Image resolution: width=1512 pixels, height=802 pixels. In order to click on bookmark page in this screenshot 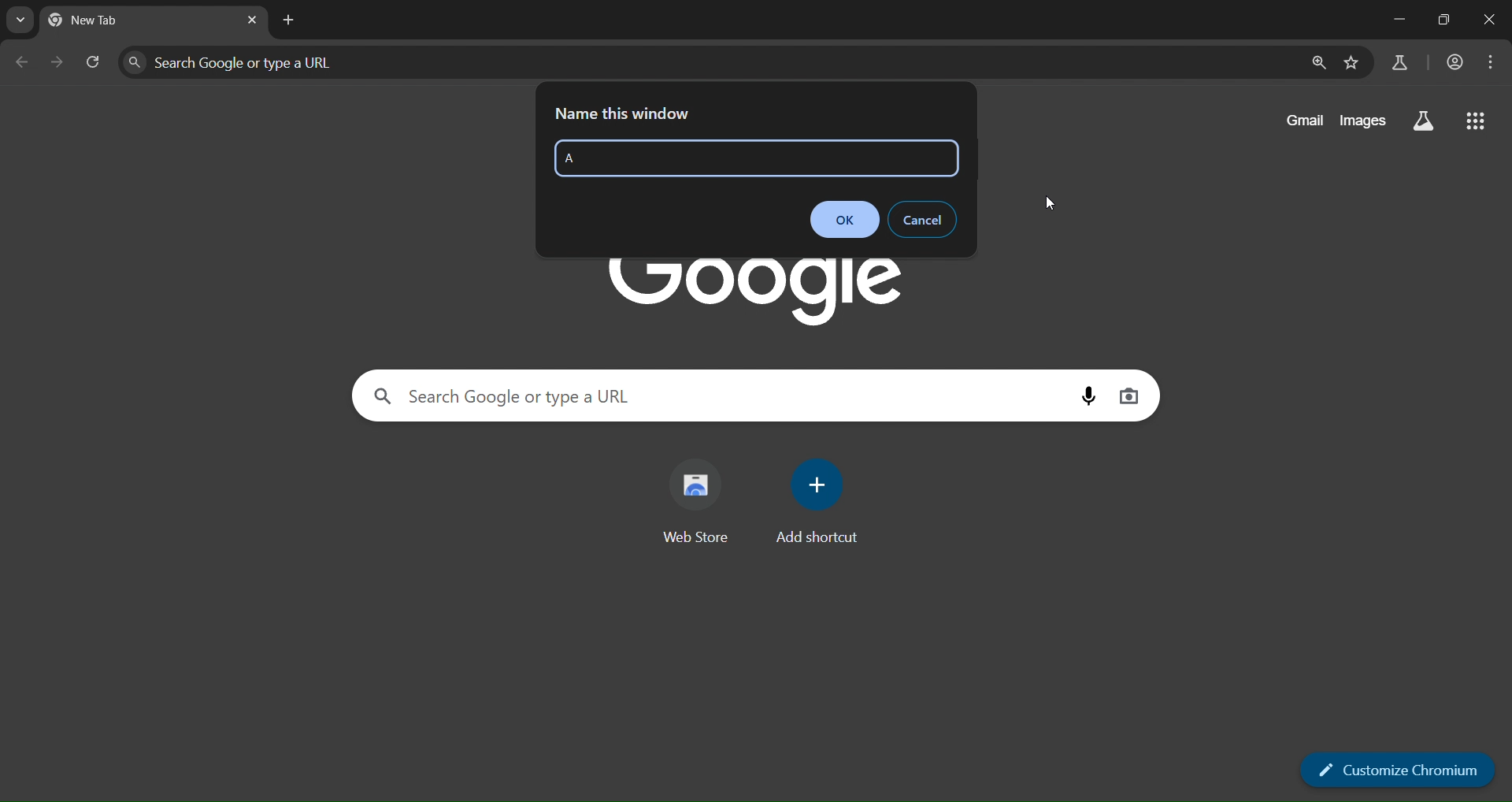, I will do `click(1354, 63)`.